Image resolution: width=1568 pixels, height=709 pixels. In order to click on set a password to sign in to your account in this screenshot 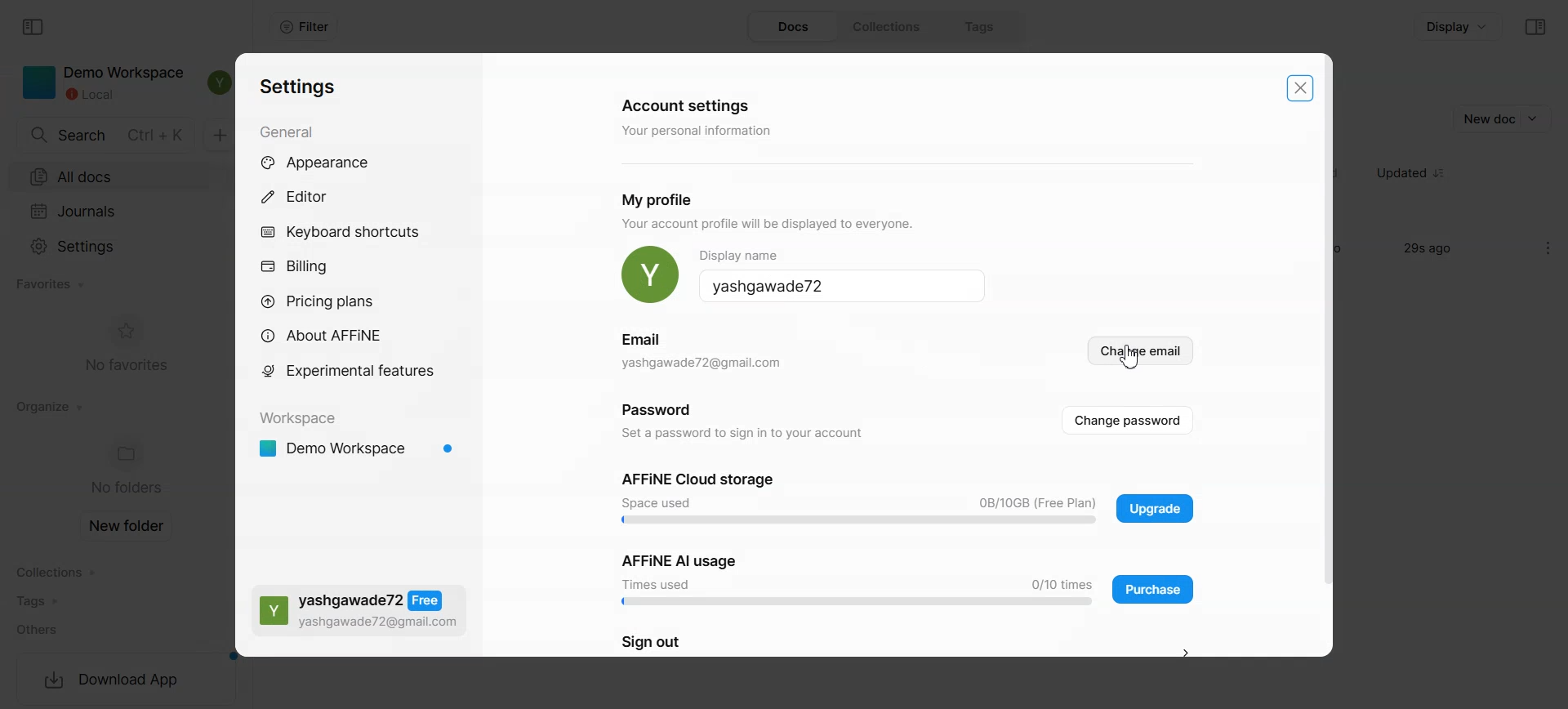, I will do `click(751, 435)`.